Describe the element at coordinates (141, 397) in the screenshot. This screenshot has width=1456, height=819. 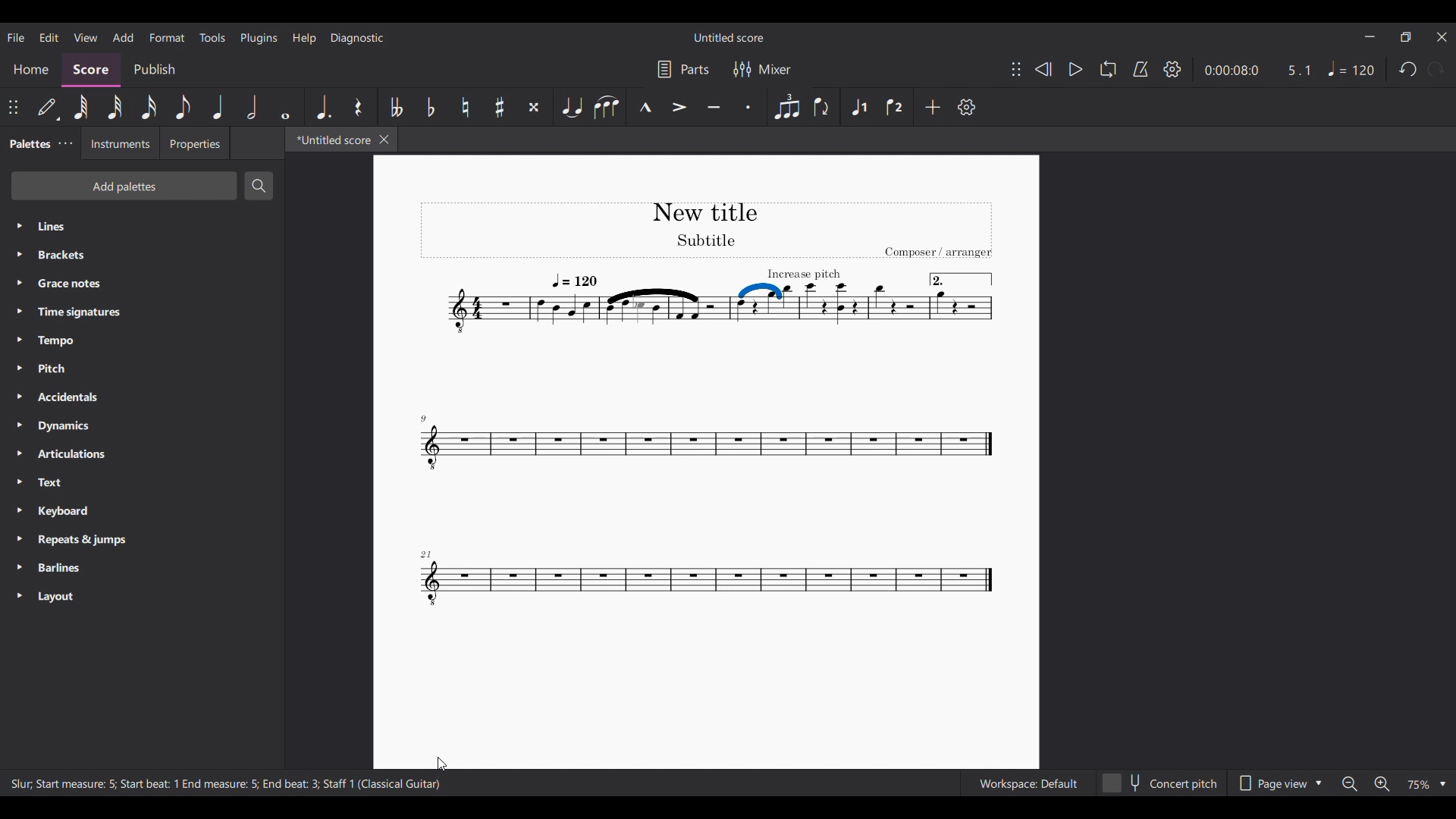
I see `Accidentals` at that location.